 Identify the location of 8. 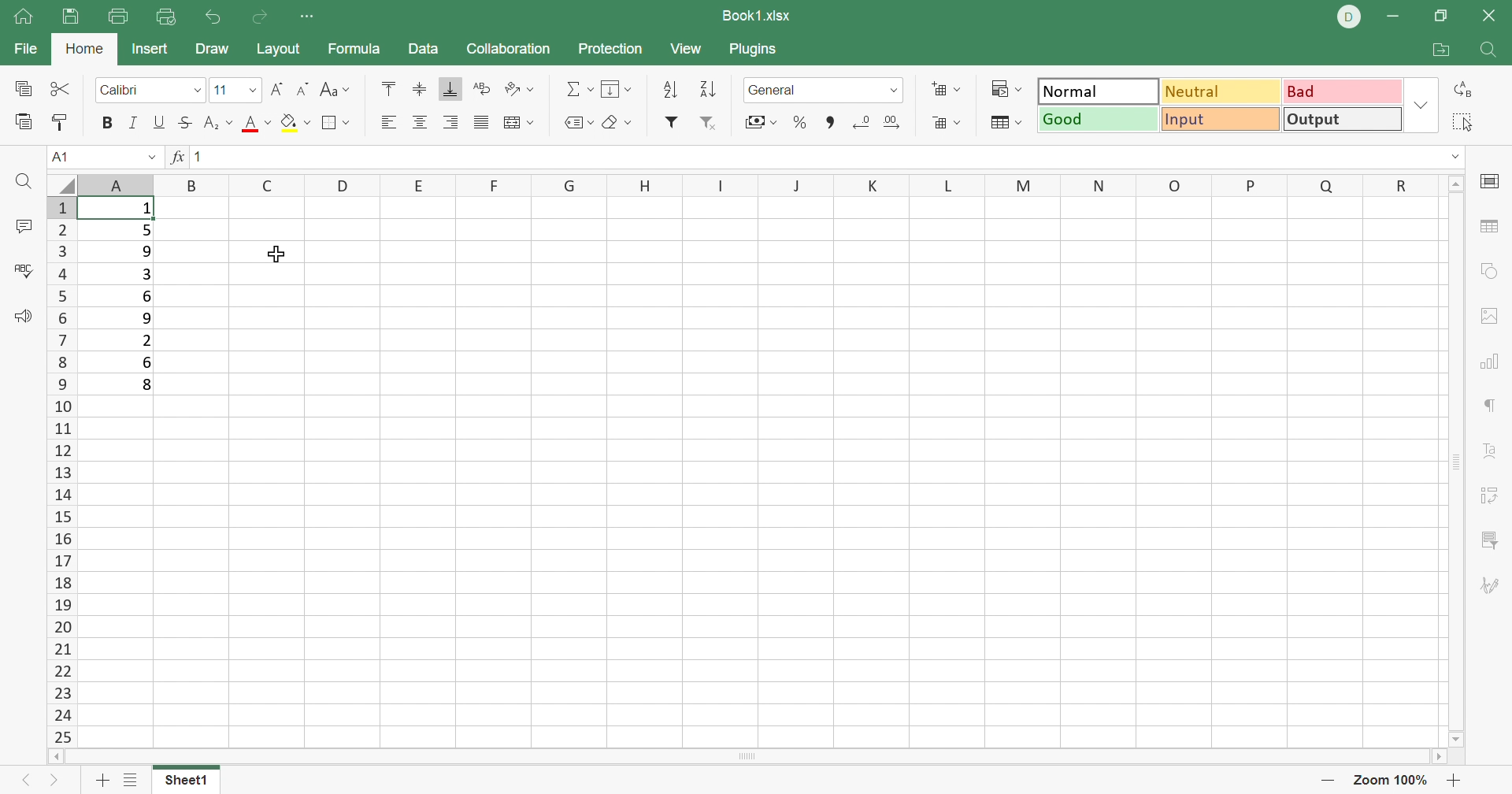
(145, 386).